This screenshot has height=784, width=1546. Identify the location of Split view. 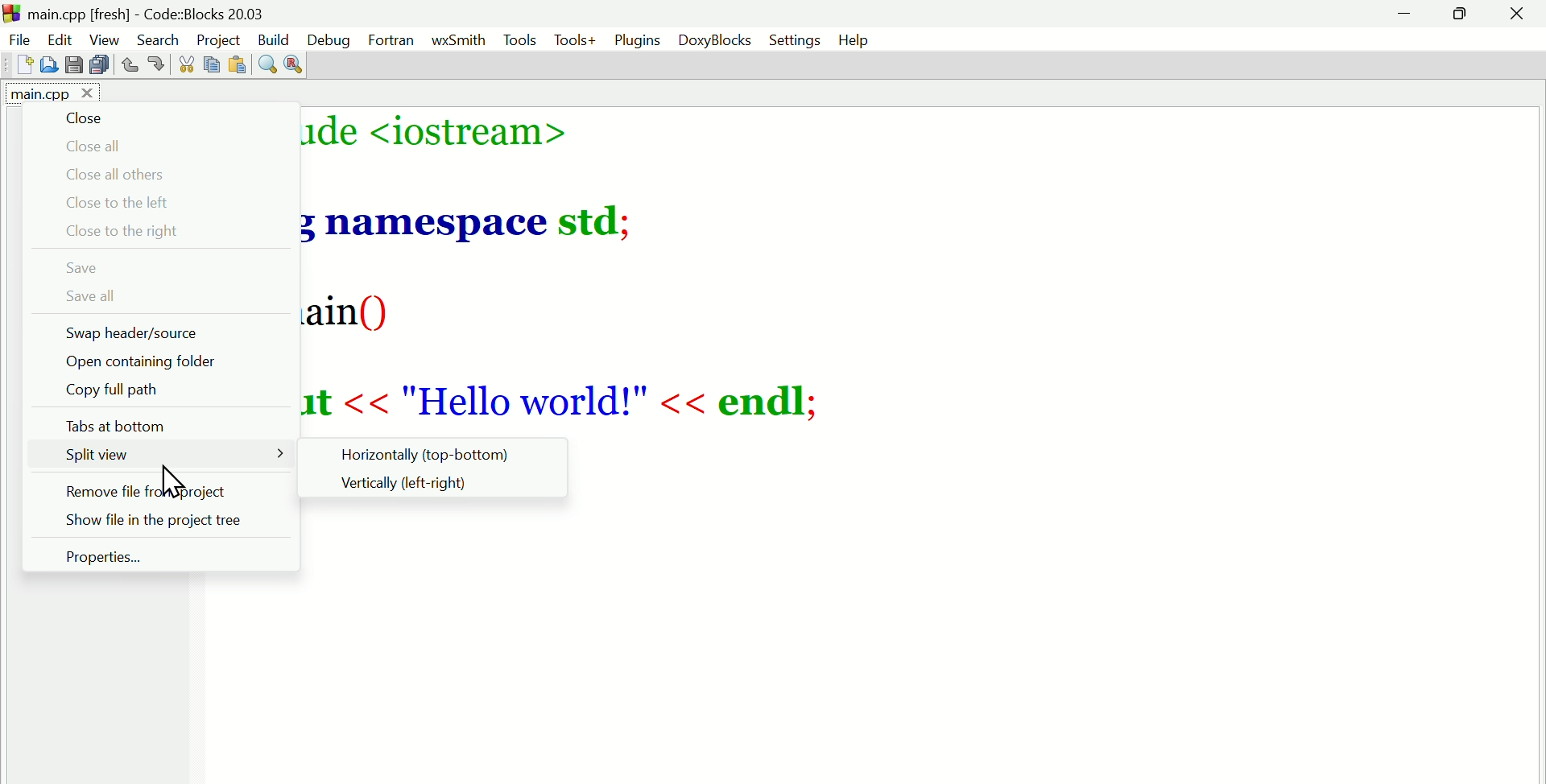
(96, 458).